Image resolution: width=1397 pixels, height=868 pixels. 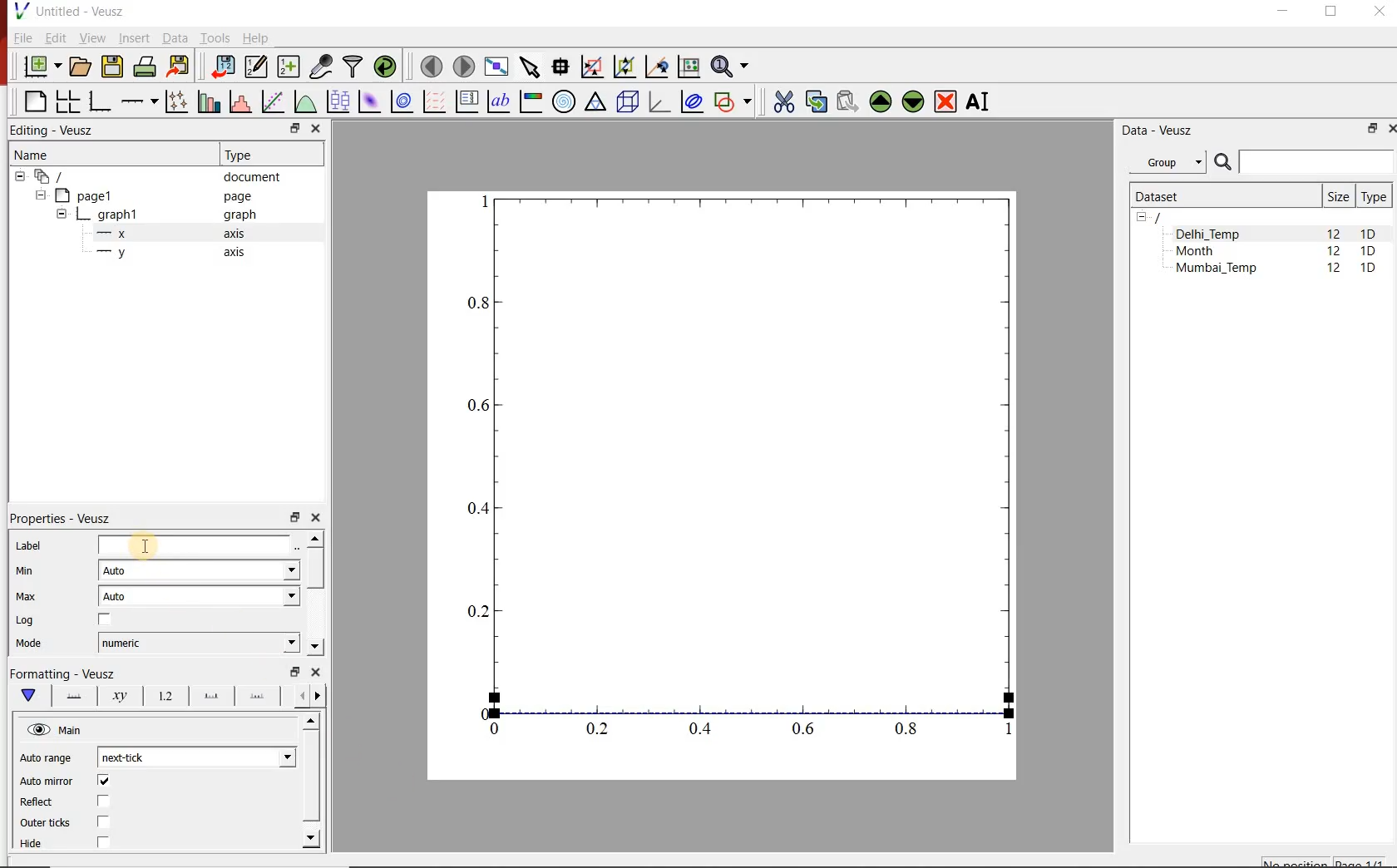 What do you see at coordinates (294, 516) in the screenshot?
I see `restore` at bounding box center [294, 516].